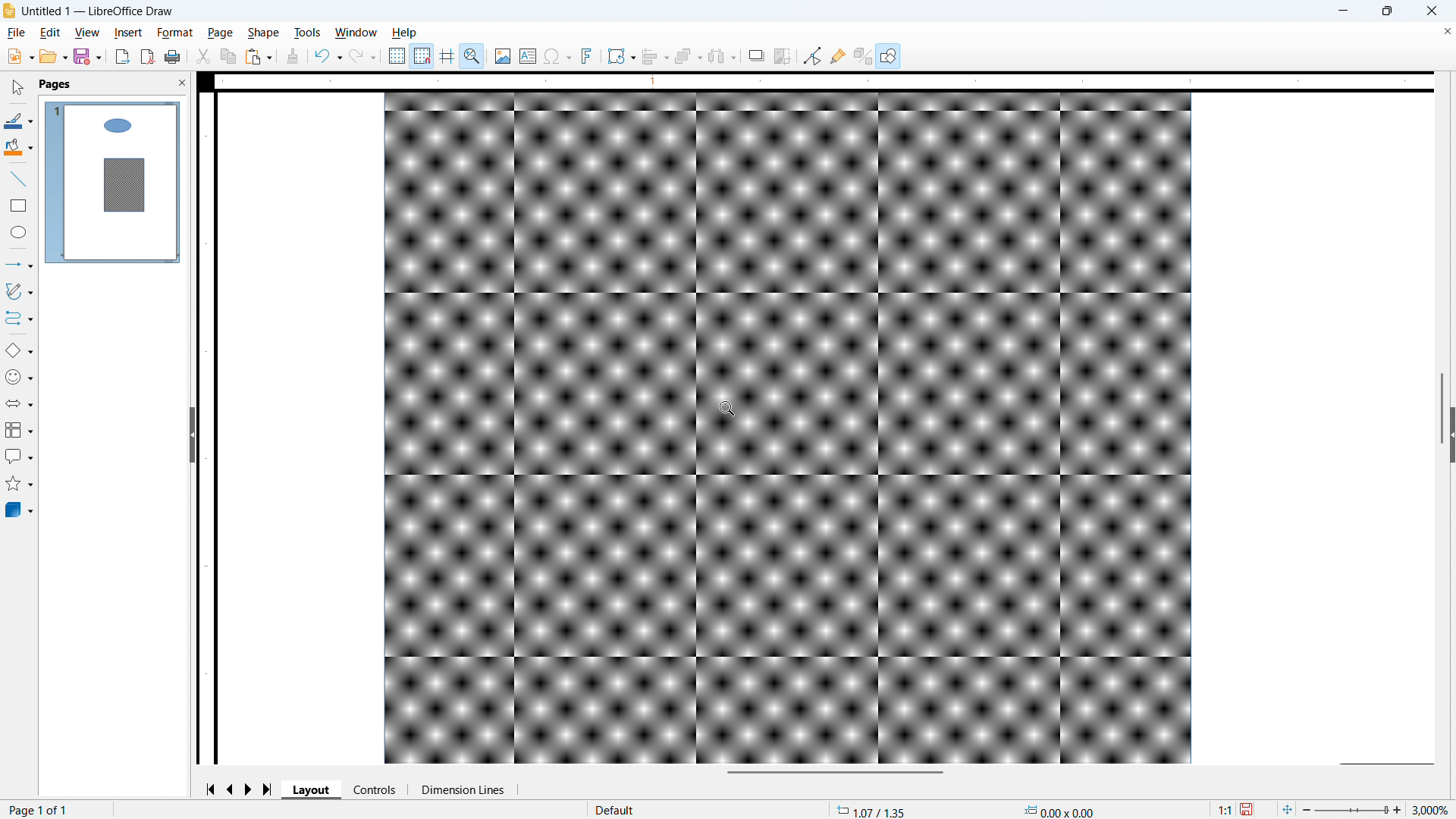 The width and height of the screenshot is (1456, 819). I want to click on Cursor coordinates , so click(872, 810).